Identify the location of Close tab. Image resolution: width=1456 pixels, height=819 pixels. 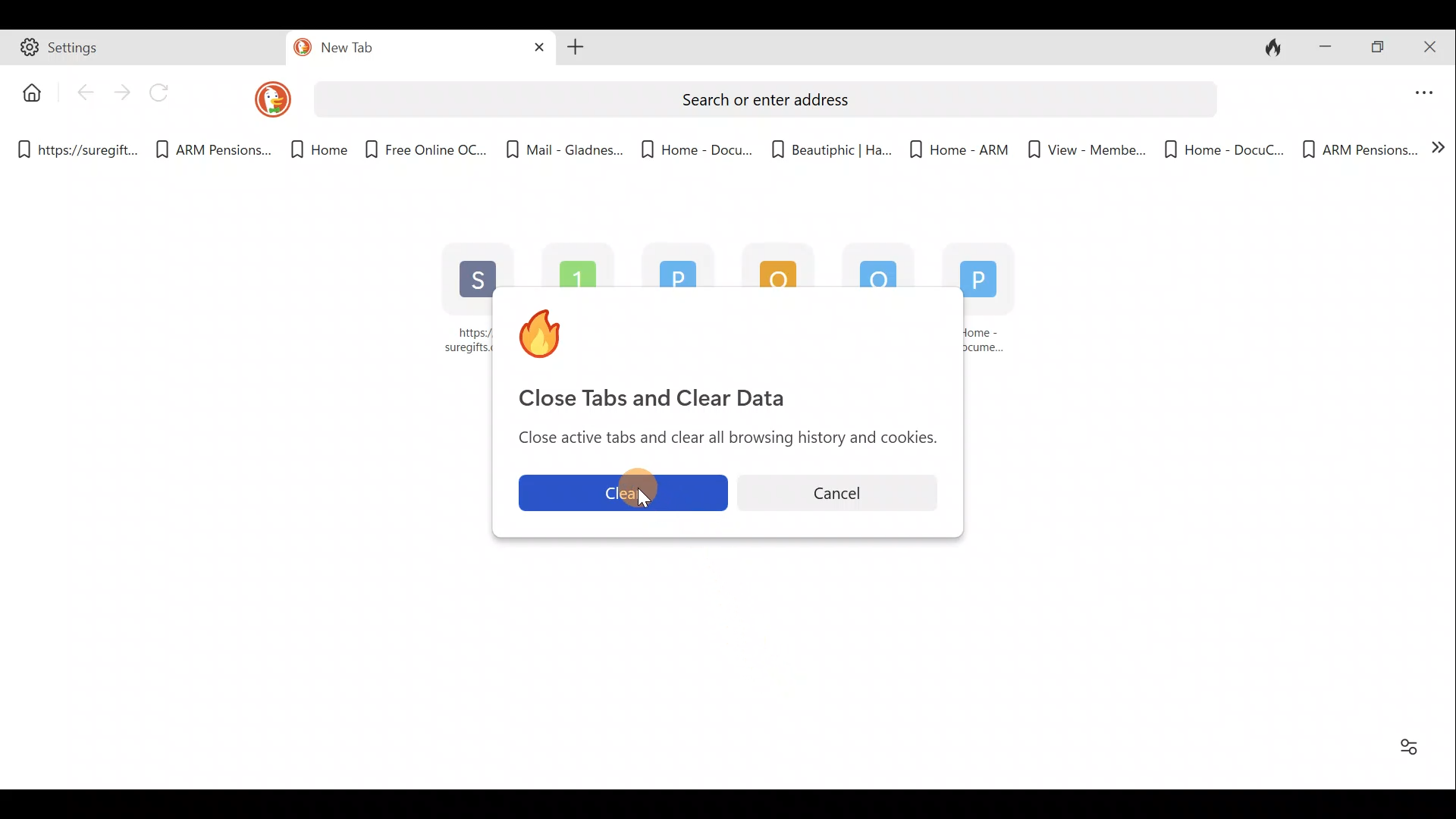
(534, 48).